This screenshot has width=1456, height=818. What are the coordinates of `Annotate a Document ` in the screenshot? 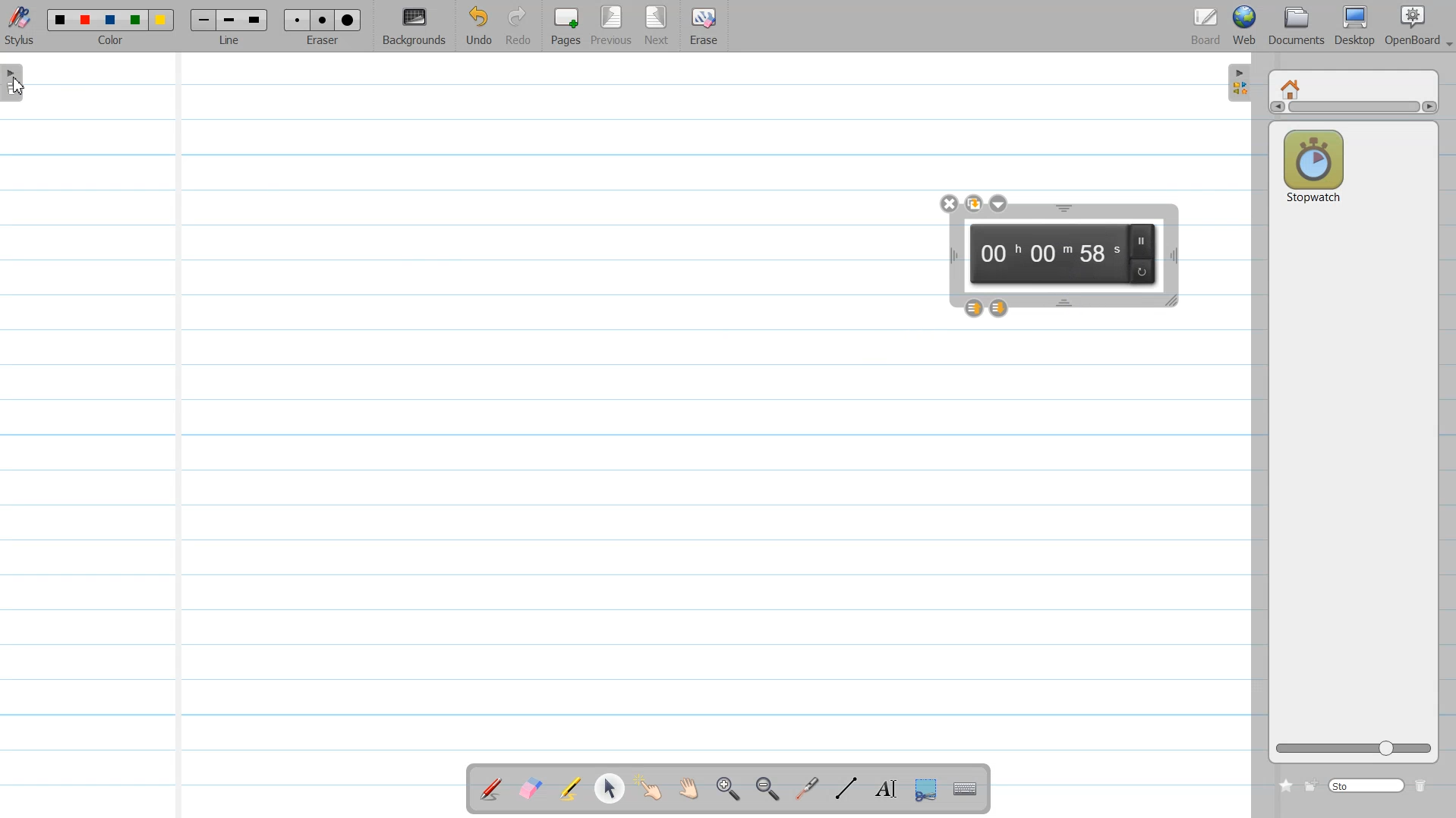 It's located at (491, 788).